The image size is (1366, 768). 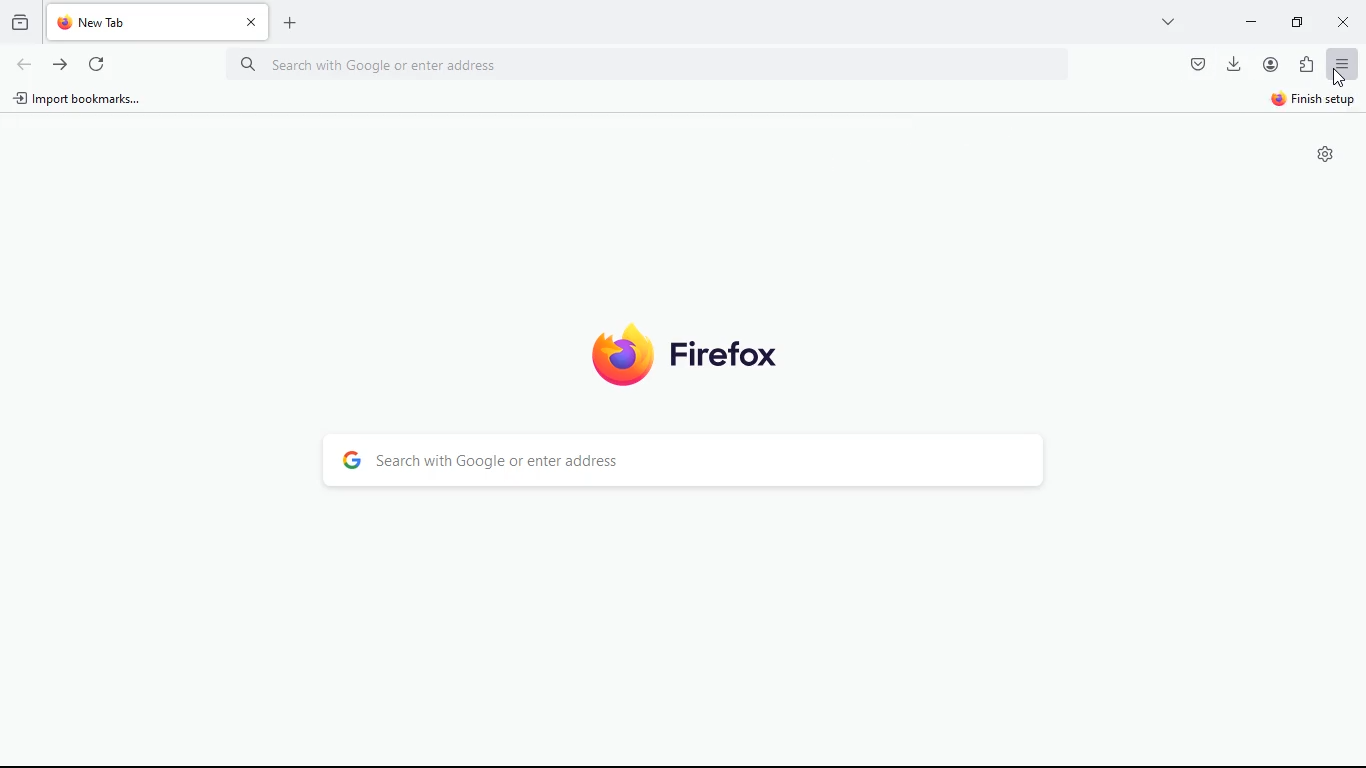 I want to click on settings, so click(x=1326, y=154).